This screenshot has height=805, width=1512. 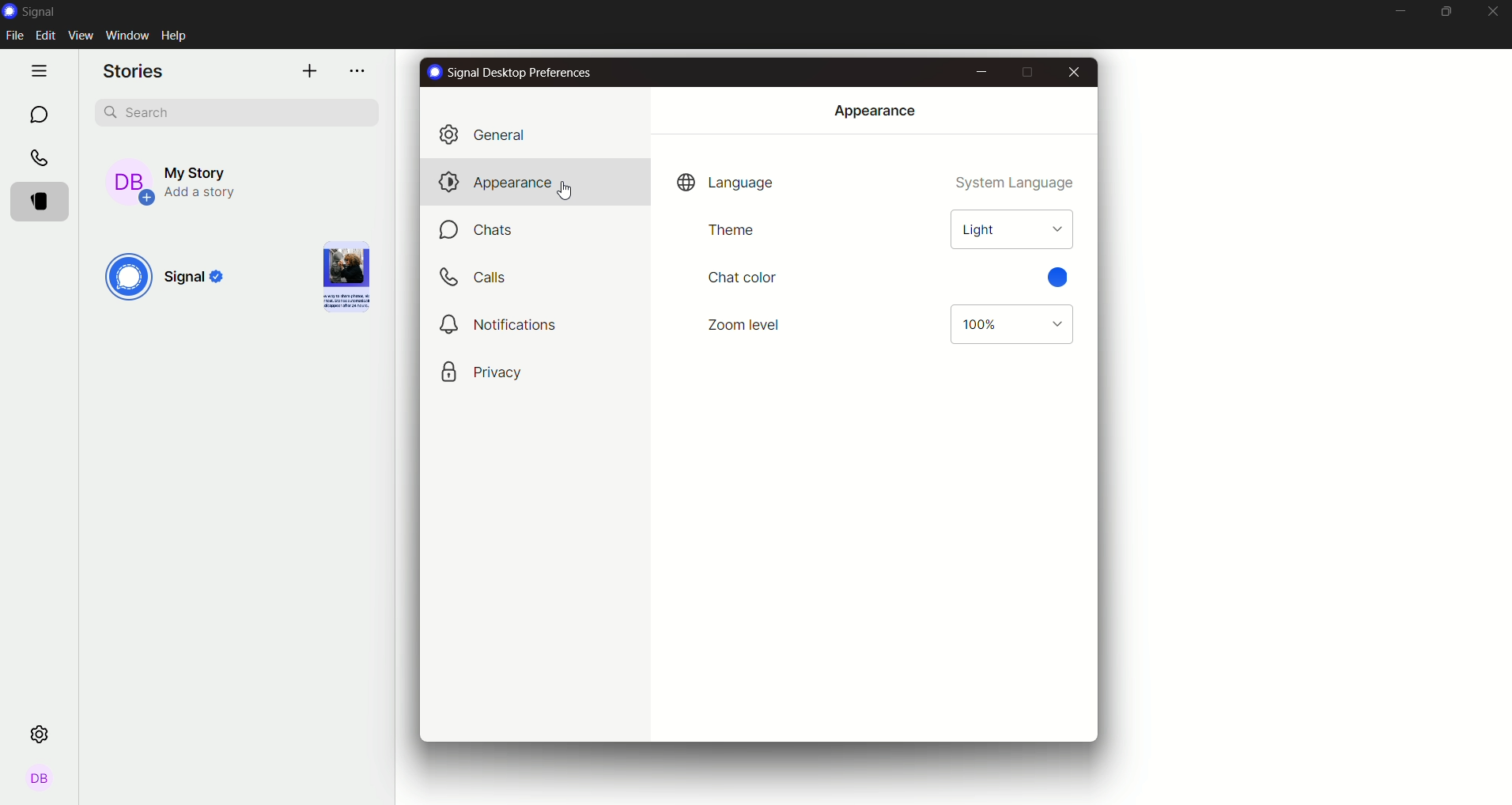 What do you see at coordinates (1398, 12) in the screenshot?
I see `minimize` at bounding box center [1398, 12].